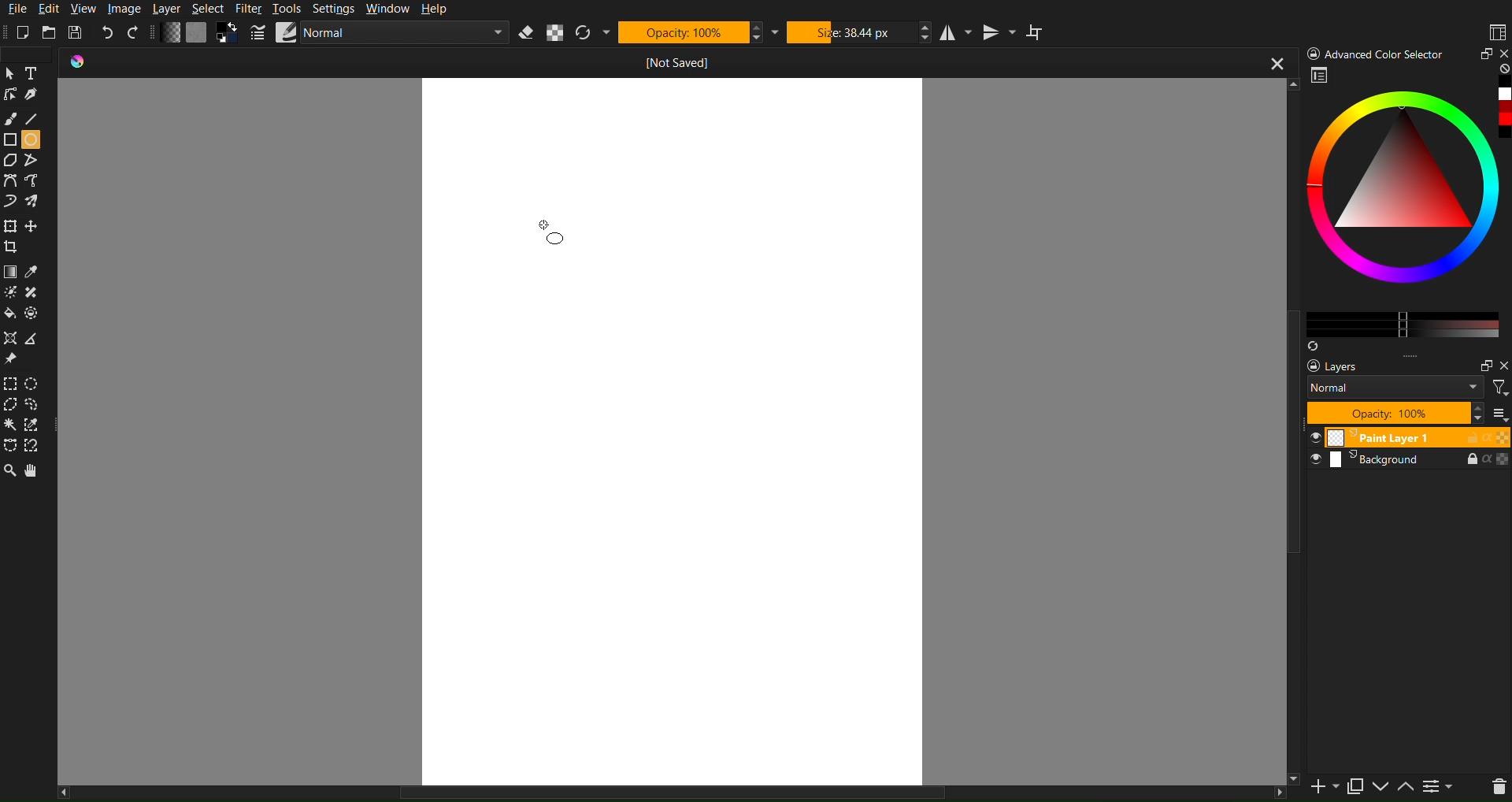 This screenshot has height=802, width=1512. Describe the element at coordinates (10, 382) in the screenshot. I see `Selection Tools` at that location.